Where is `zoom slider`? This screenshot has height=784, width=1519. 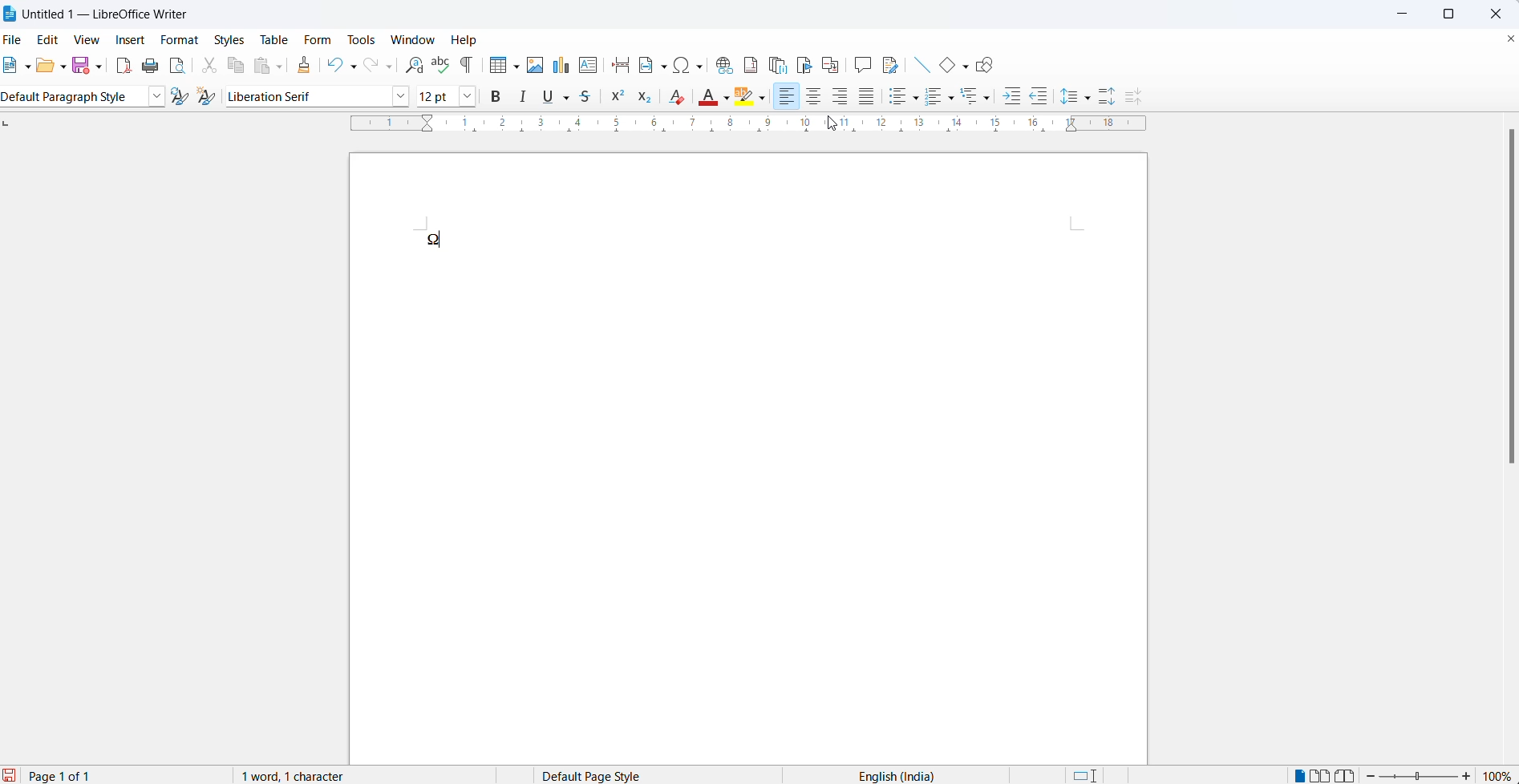
zoom slider is located at coordinates (1419, 776).